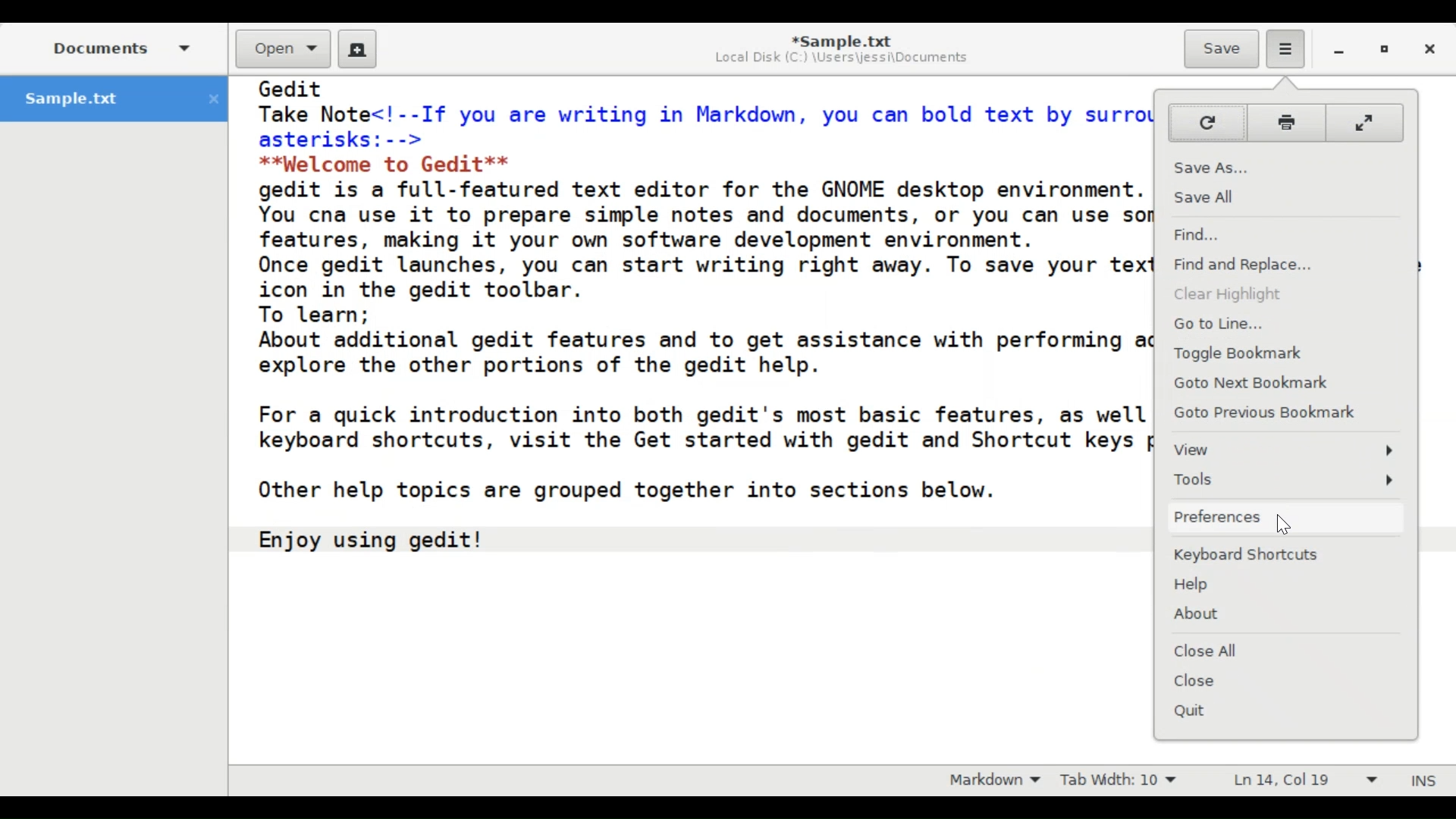  I want to click on View, so click(1287, 451).